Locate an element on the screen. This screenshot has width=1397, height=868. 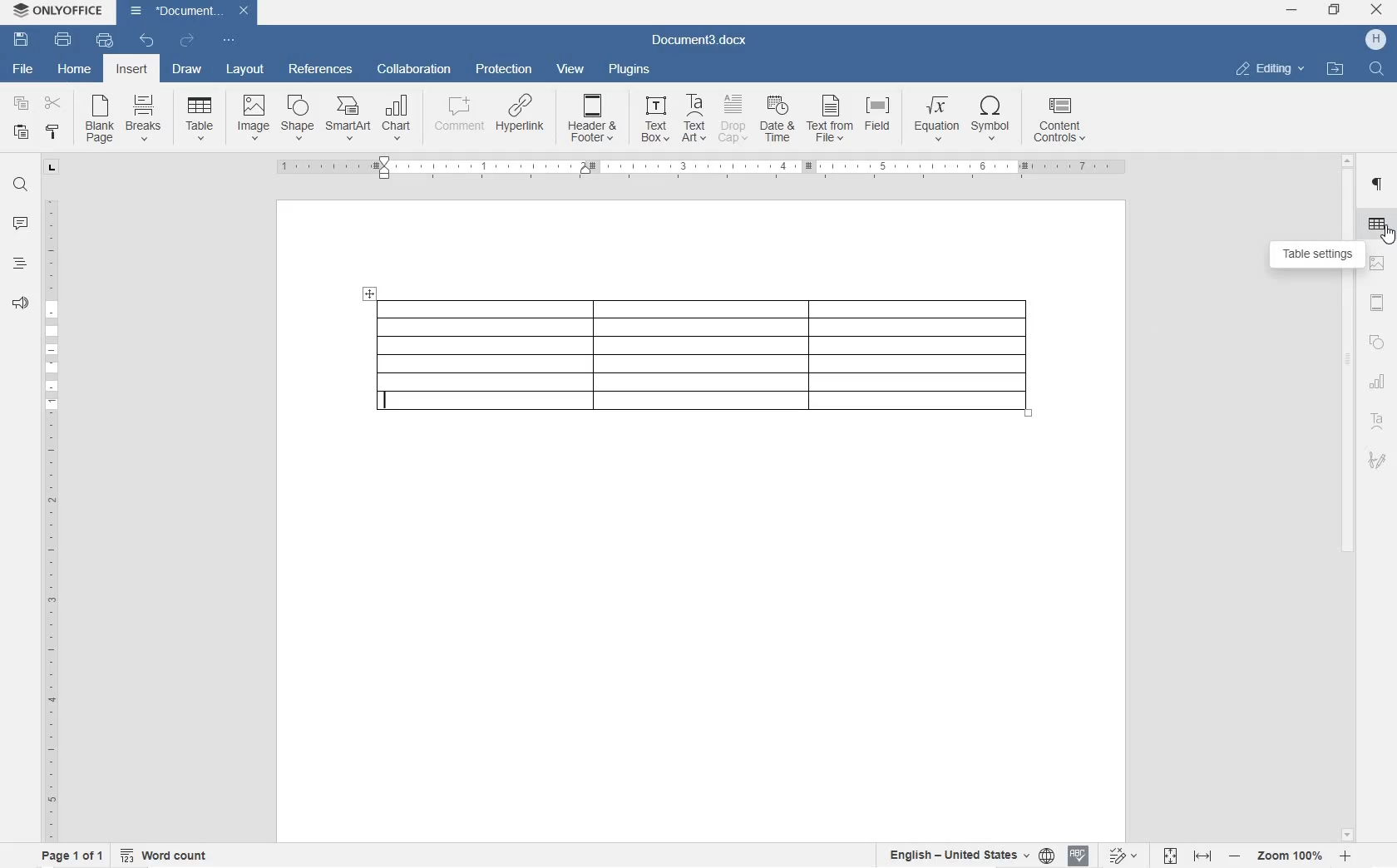
IMAGE is located at coordinates (254, 118).